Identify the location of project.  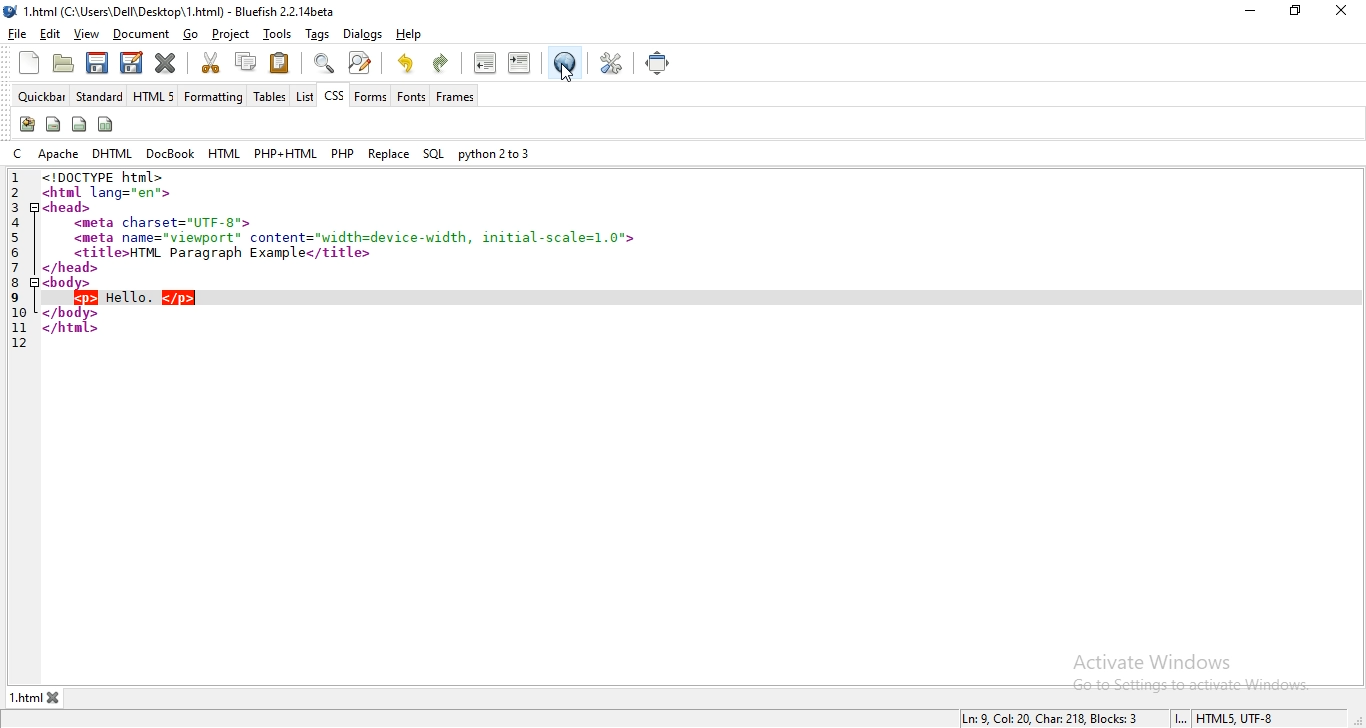
(229, 32).